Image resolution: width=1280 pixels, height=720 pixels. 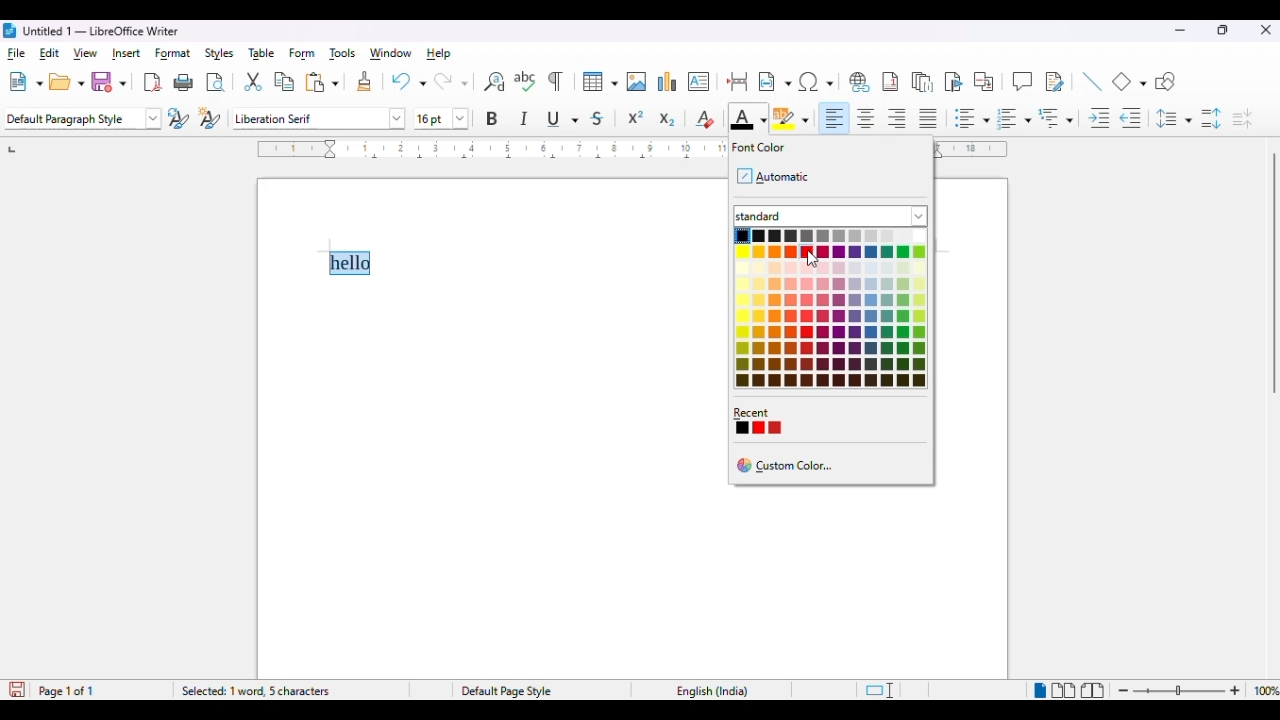 I want to click on new style from selection, so click(x=210, y=118).